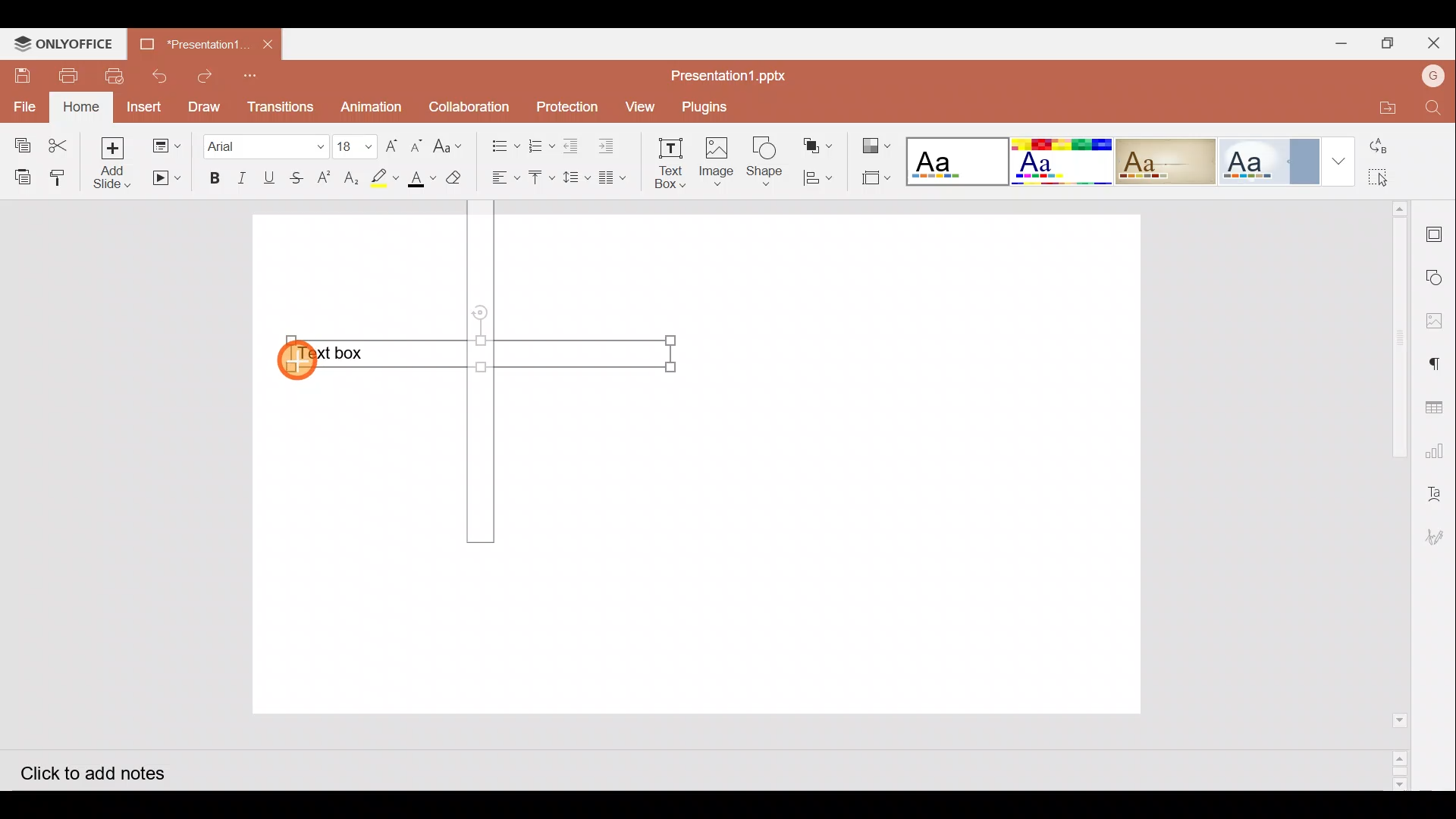 The width and height of the screenshot is (1456, 819). Describe the element at coordinates (817, 176) in the screenshot. I see `Align shape` at that location.